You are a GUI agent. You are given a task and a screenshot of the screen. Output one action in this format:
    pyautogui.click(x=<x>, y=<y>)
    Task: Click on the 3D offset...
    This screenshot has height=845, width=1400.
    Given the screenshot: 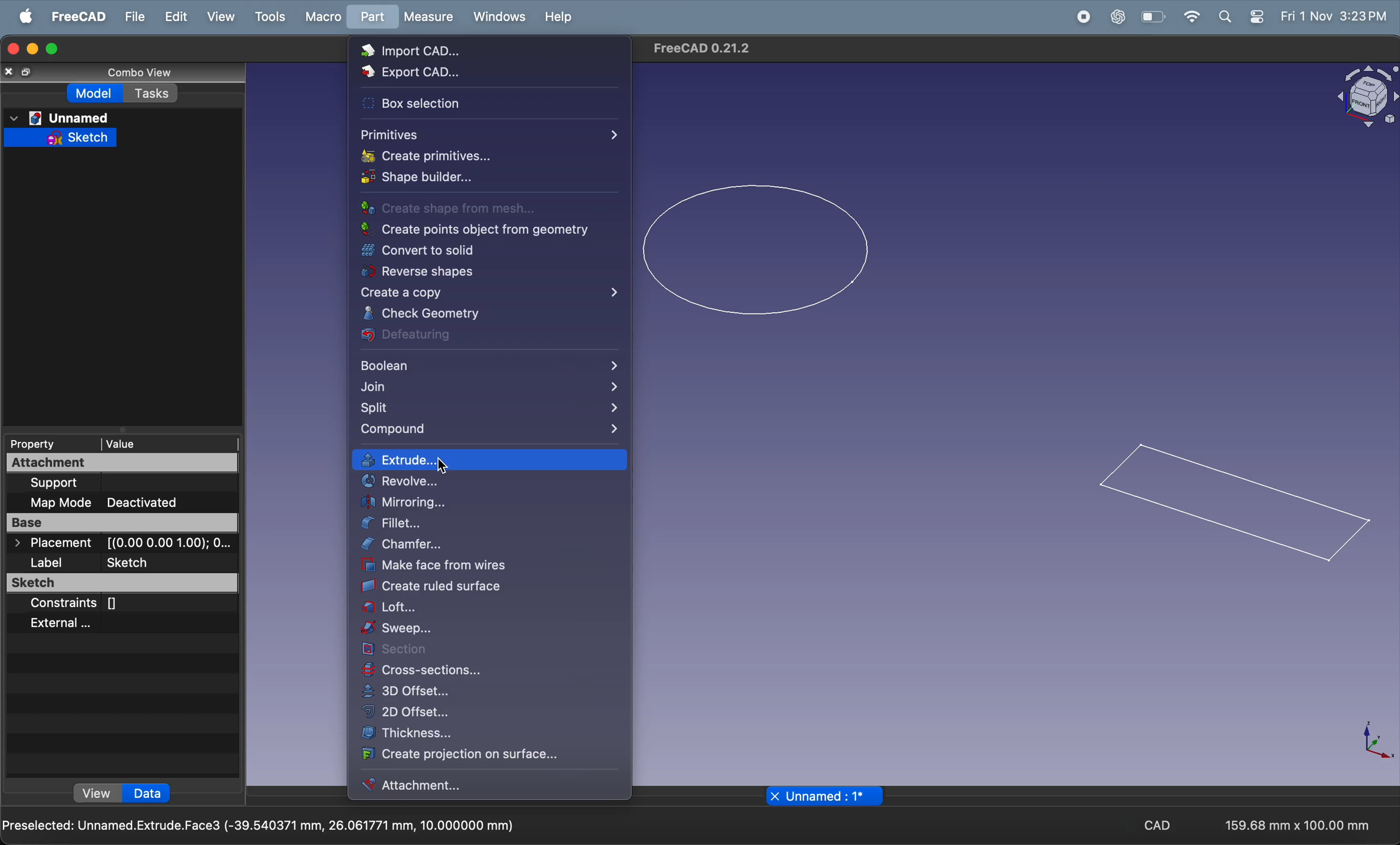 What is the action you would take?
    pyautogui.click(x=449, y=691)
    